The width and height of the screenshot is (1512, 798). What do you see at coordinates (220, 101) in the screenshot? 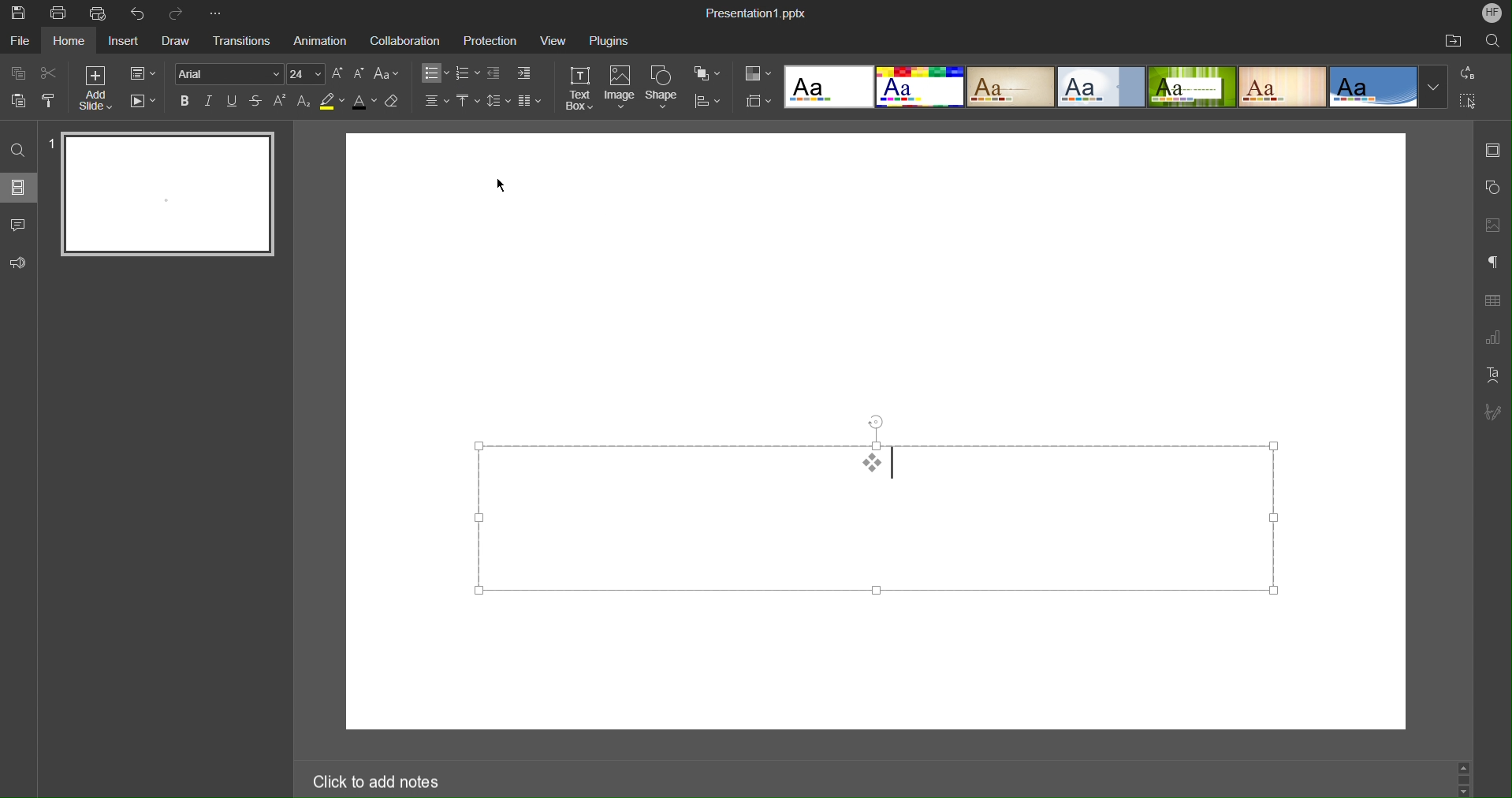
I see `Text Effects` at bounding box center [220, 101].